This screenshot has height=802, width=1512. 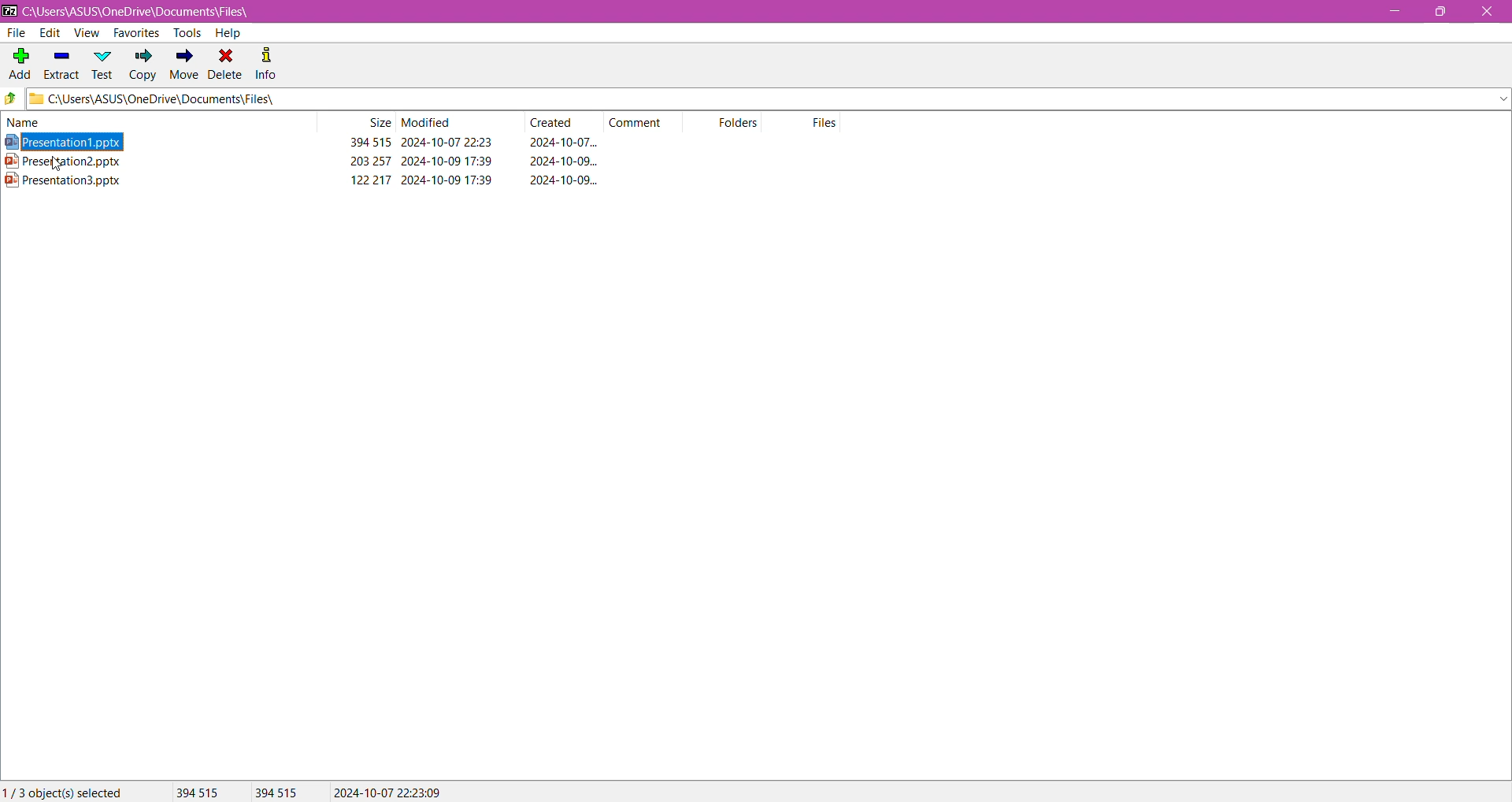 I want to click on Presentation2.pptx 203257 2024-10-09 17:39 2024-10-09..., so click(x=314, y=161).